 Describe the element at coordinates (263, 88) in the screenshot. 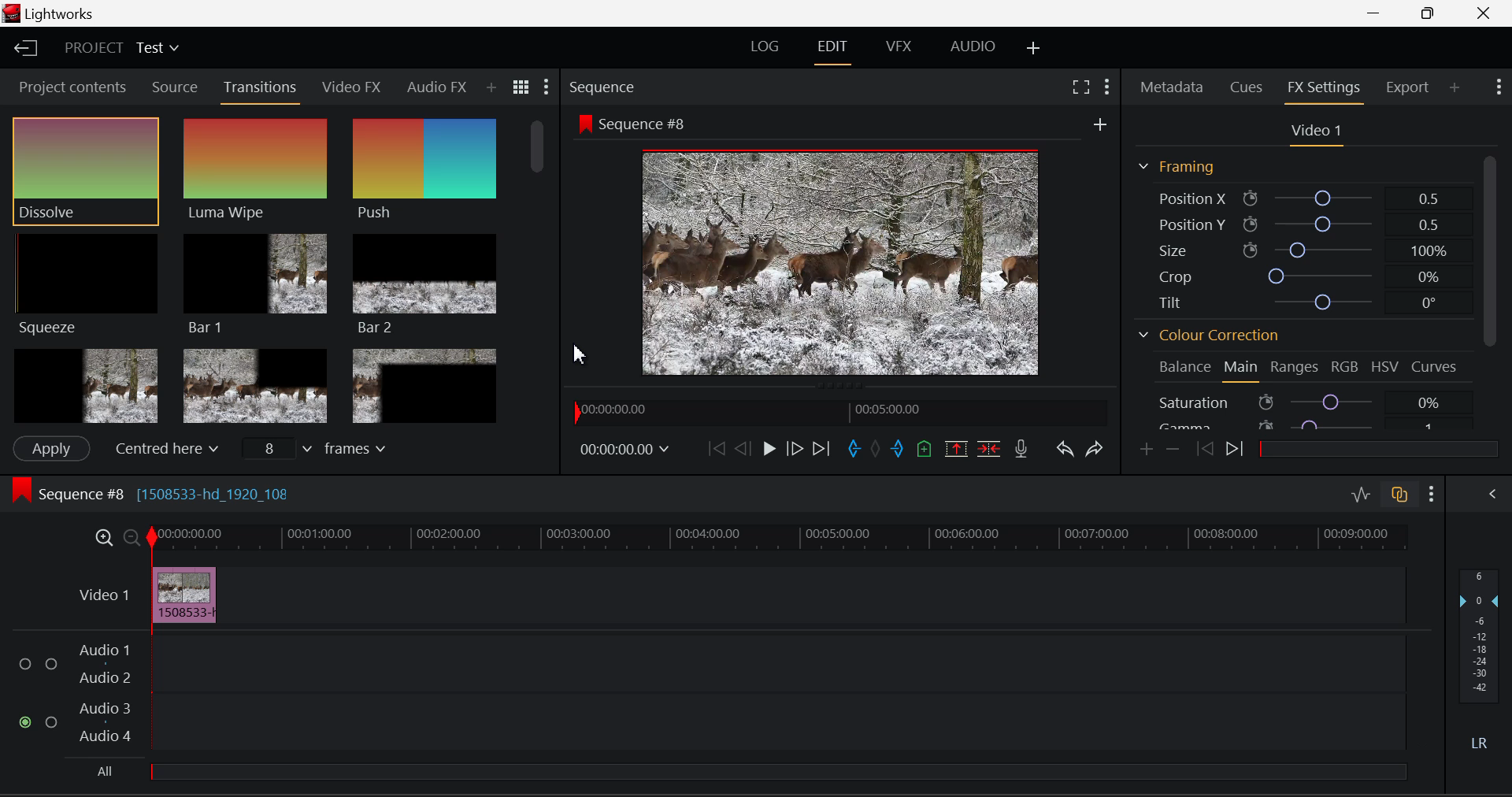

I see `Transitions Panel Open` at that location.